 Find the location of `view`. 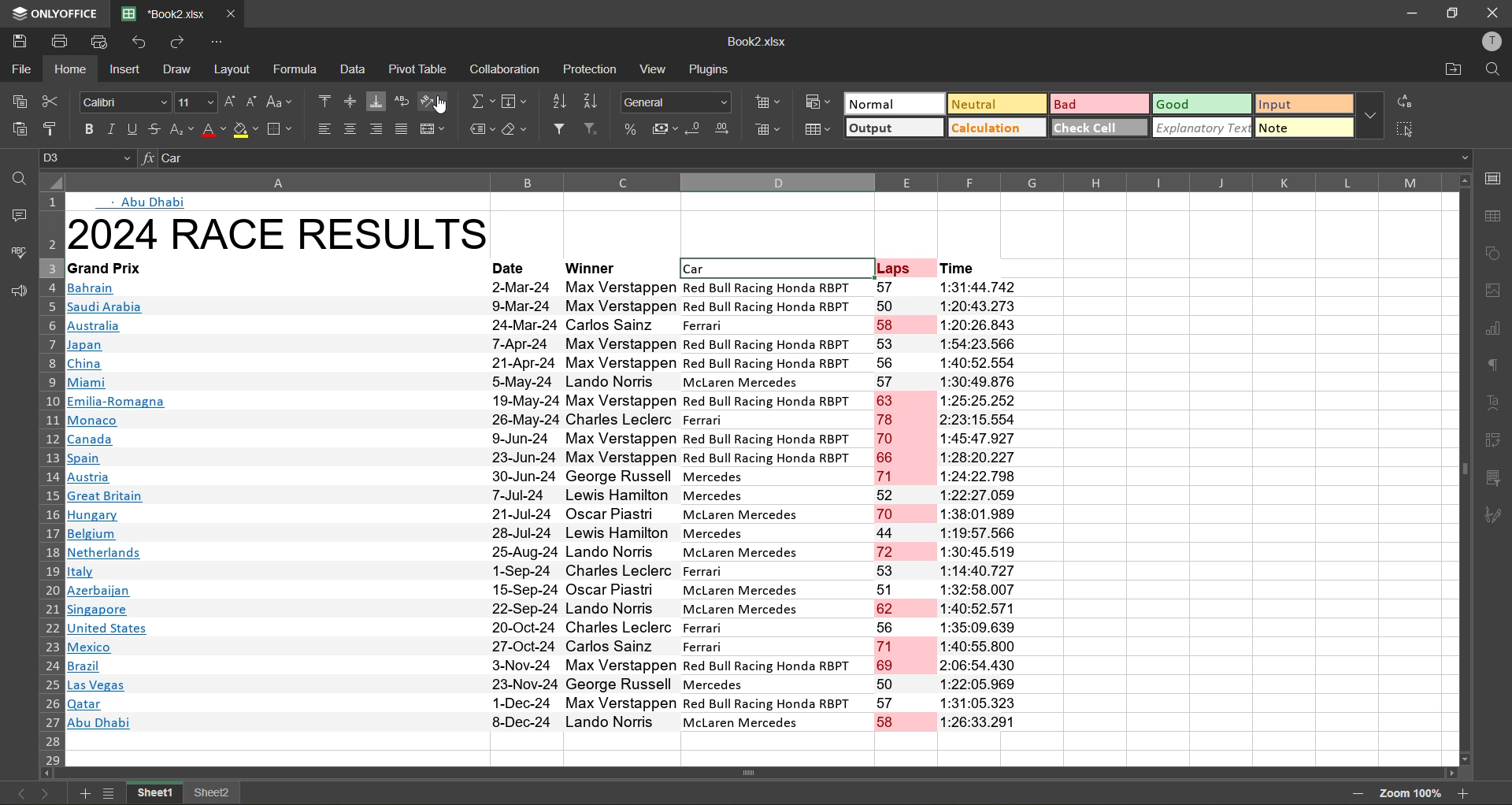

view is located at coordinates (658, 71).